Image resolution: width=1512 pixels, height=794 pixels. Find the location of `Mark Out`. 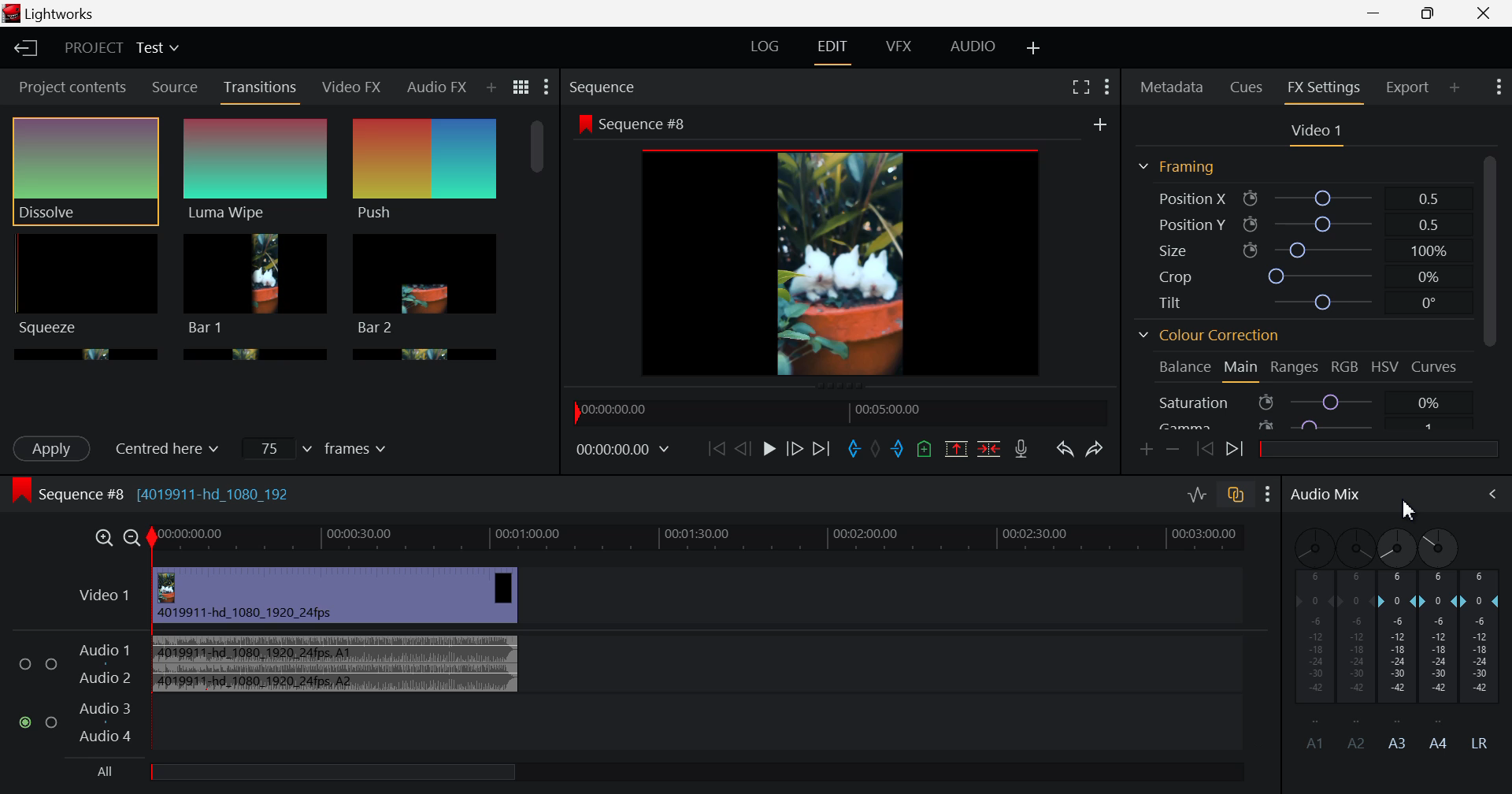

Mark Out is located at coordinates (898, 449).